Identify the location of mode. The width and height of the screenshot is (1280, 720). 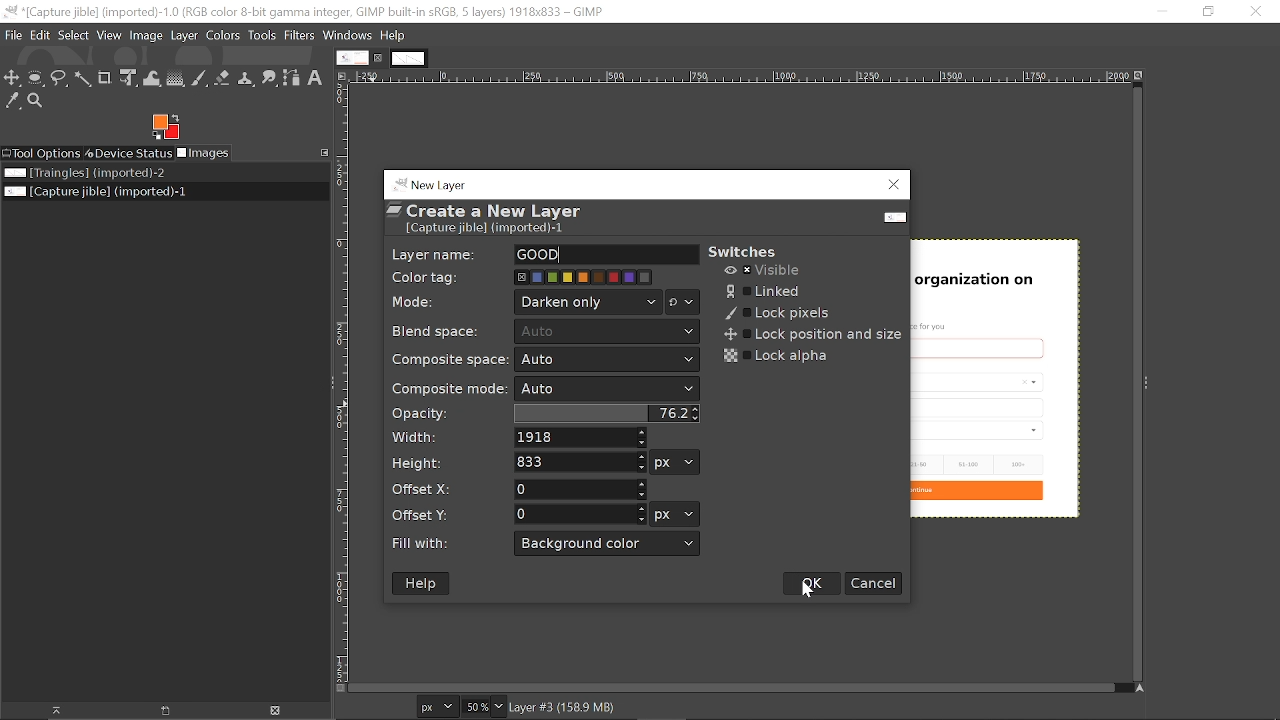
(416, 301).